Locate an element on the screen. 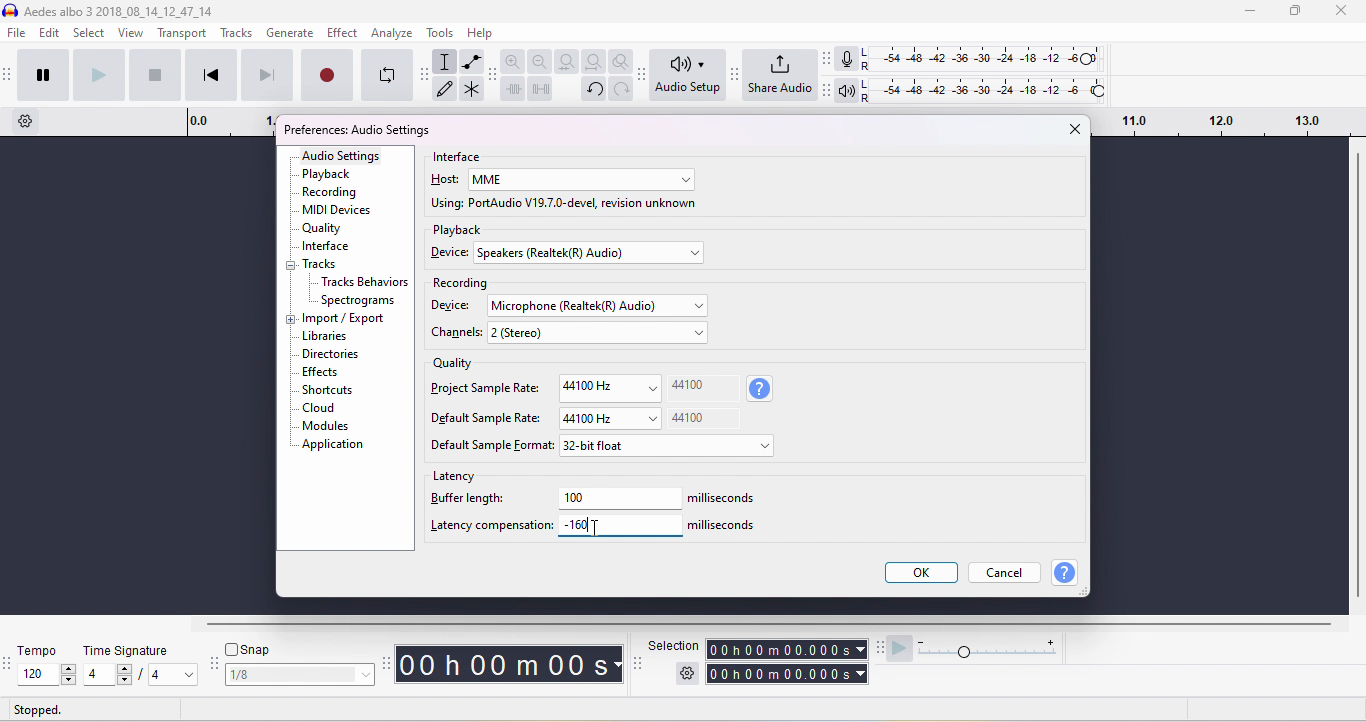  select host is located at coordinates (581, 180).